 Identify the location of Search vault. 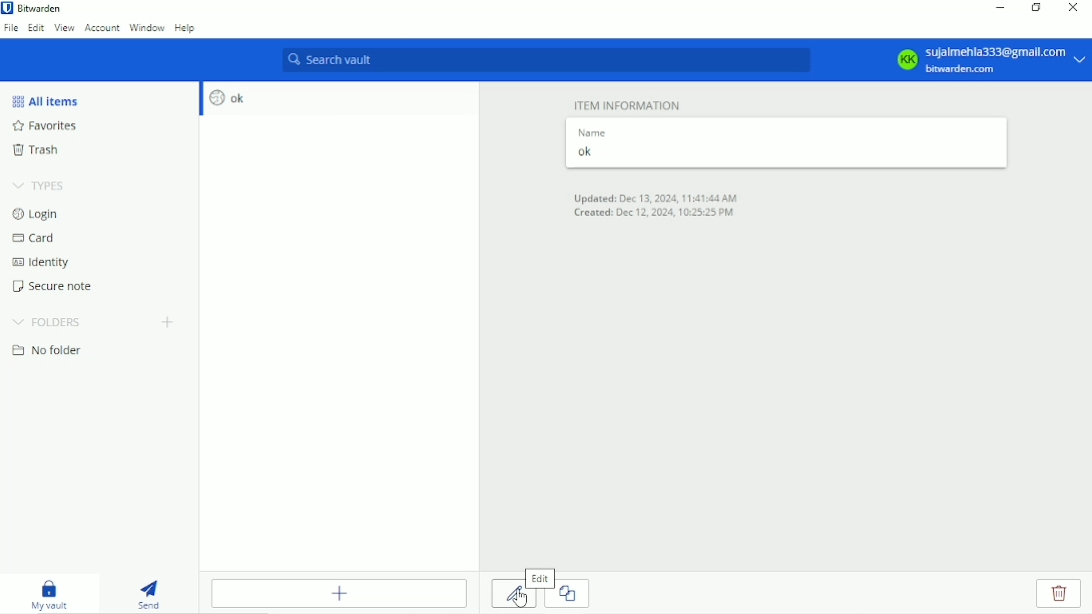
(544, 59).